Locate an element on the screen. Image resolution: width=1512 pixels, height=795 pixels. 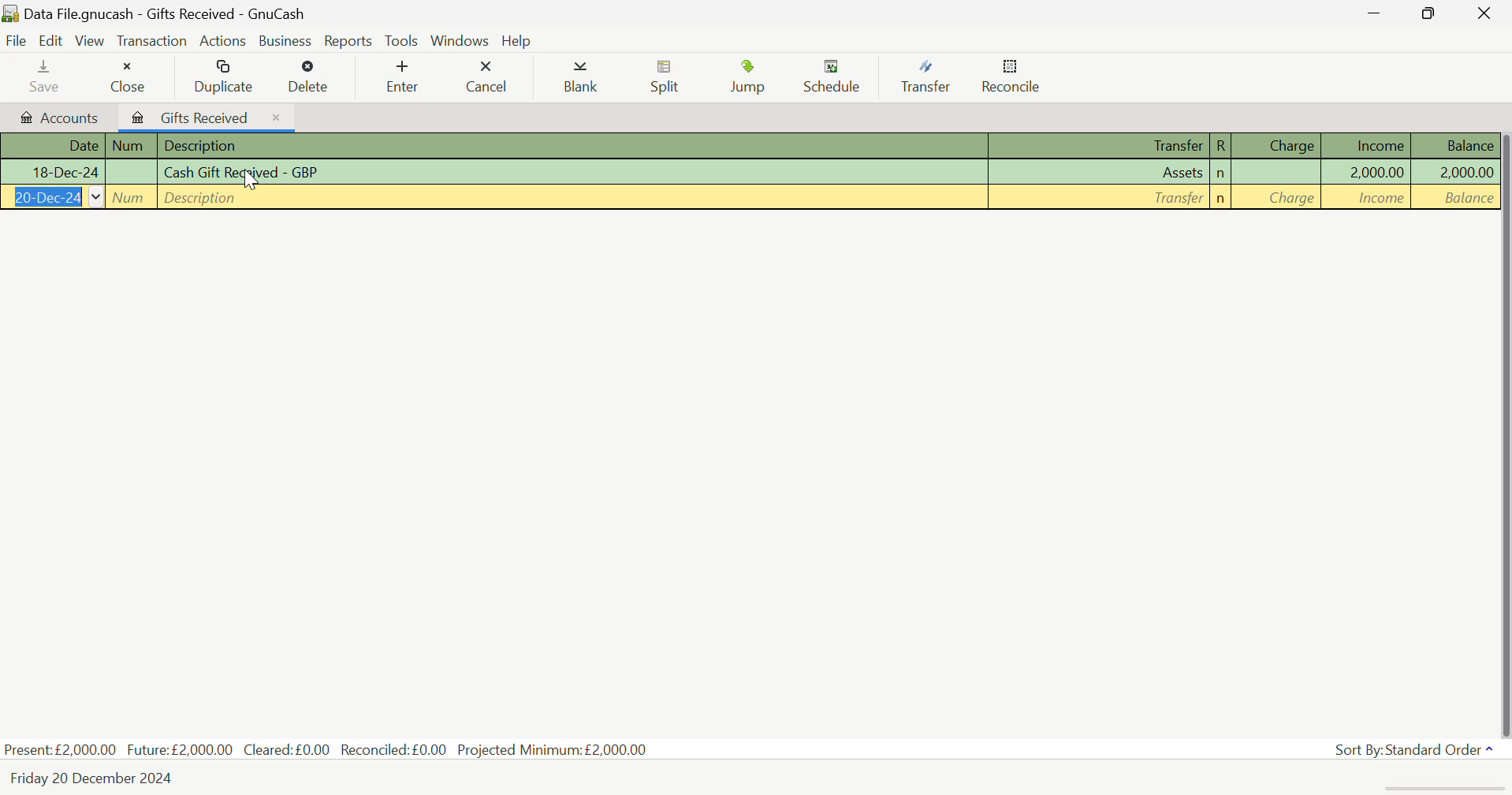
Balance is located at coordinates (1454, 145).